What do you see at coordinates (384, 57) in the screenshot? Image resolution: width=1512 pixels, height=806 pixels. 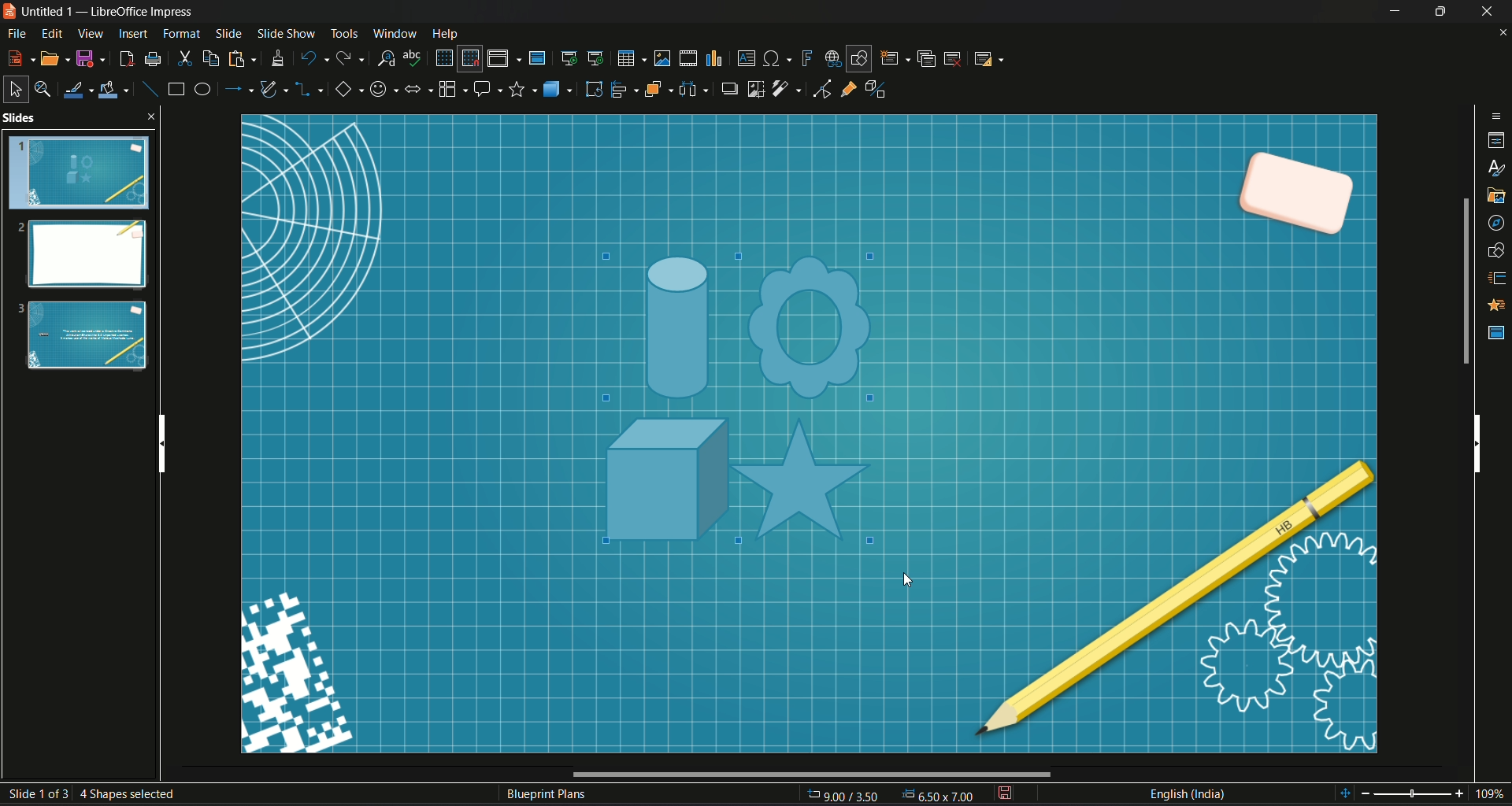 I see `find and replace` at bounding box center [384, 57].